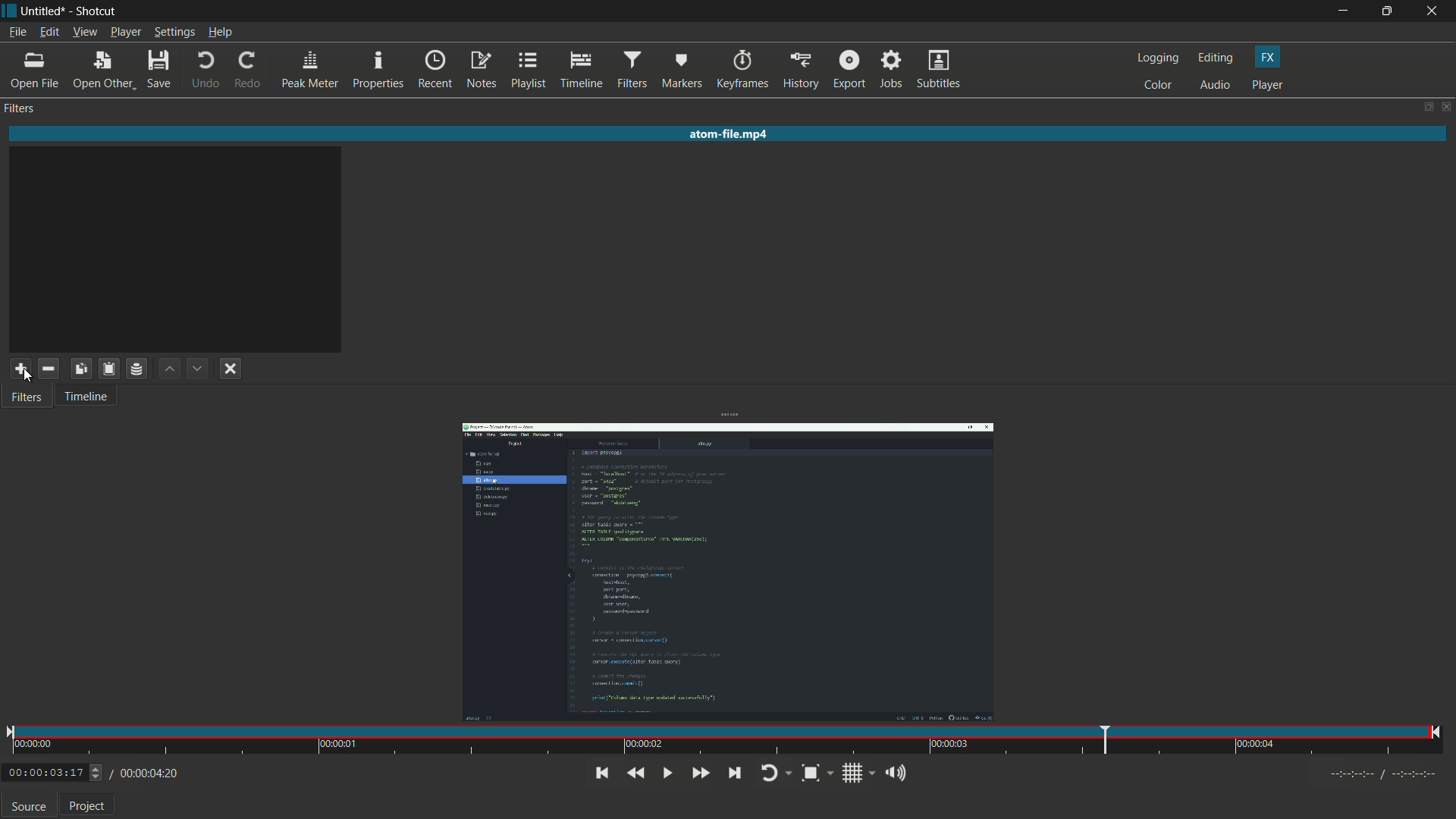 This screenshot has width=1456, height=819. What do you see at coordinates (29, 806) in the screenshot?
I see `source` at bounding box center [29, 806].